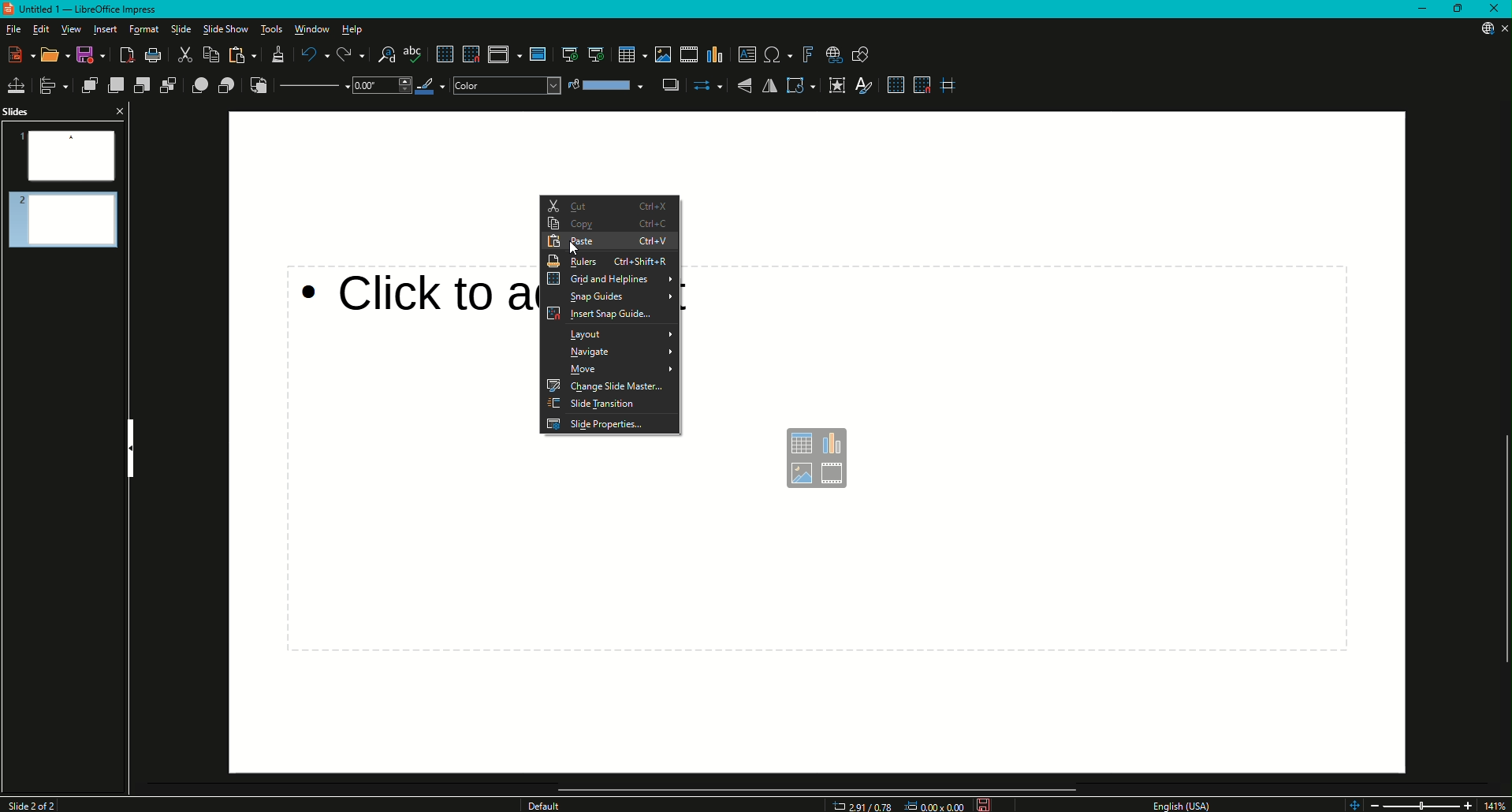 Image resolution: width=1512 pixels, height=812 pixels. Describe the element at coordinates (688, 52) in the screenshot. I see `Insert Audio or Video` at that location.